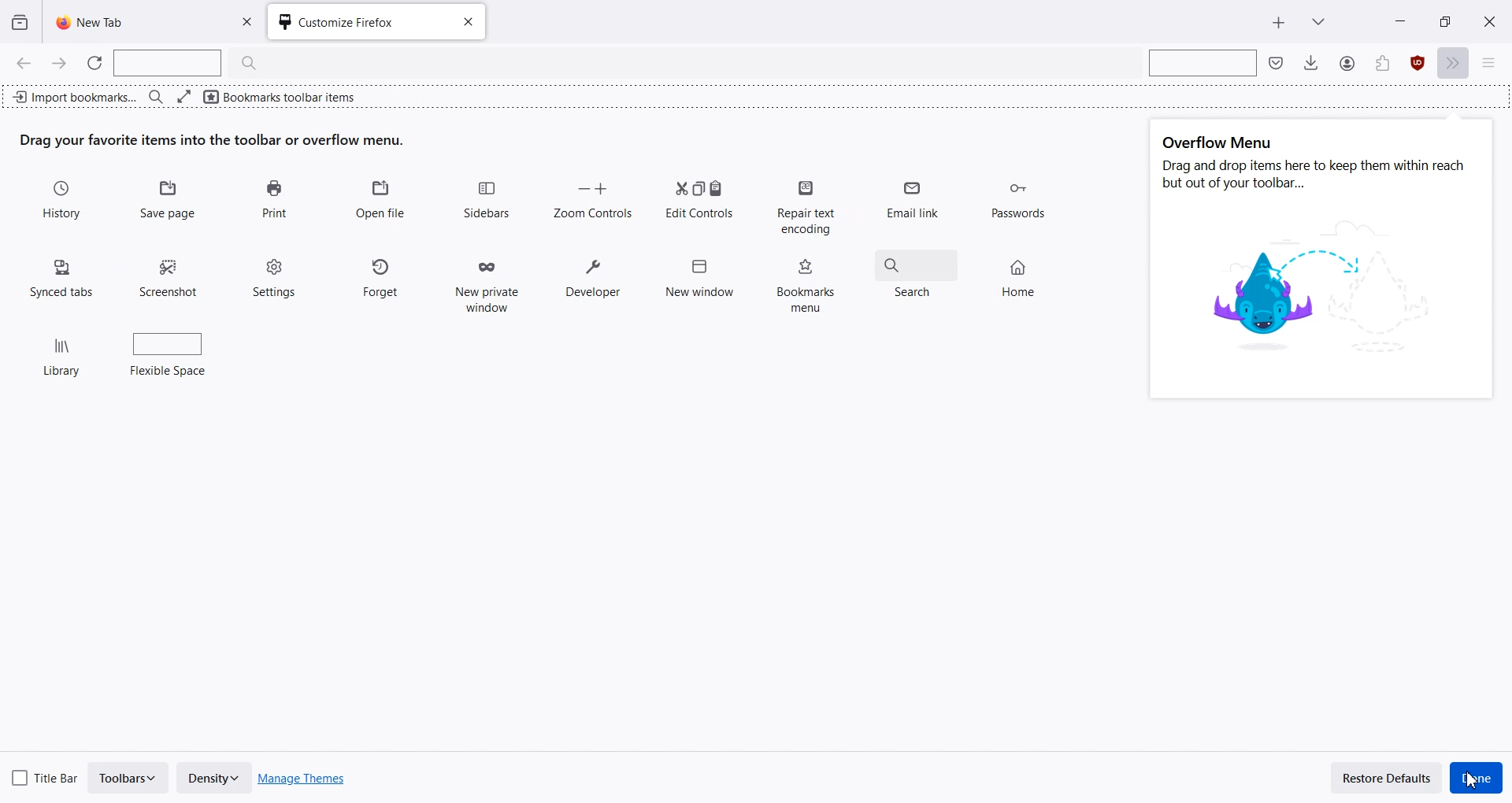  I want to click on Library, so click(65, 350).